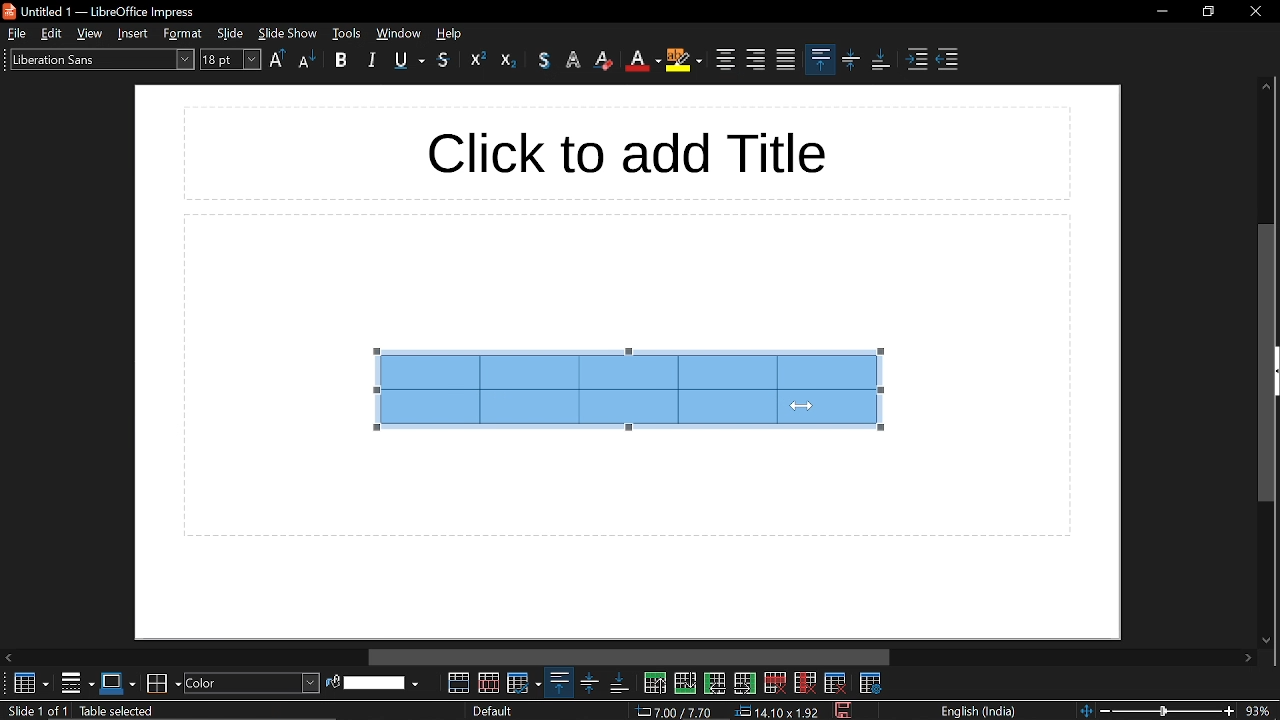  Describe the element at coordinates (1107, 710) in the screenshot. I see `zoom out` at that location.